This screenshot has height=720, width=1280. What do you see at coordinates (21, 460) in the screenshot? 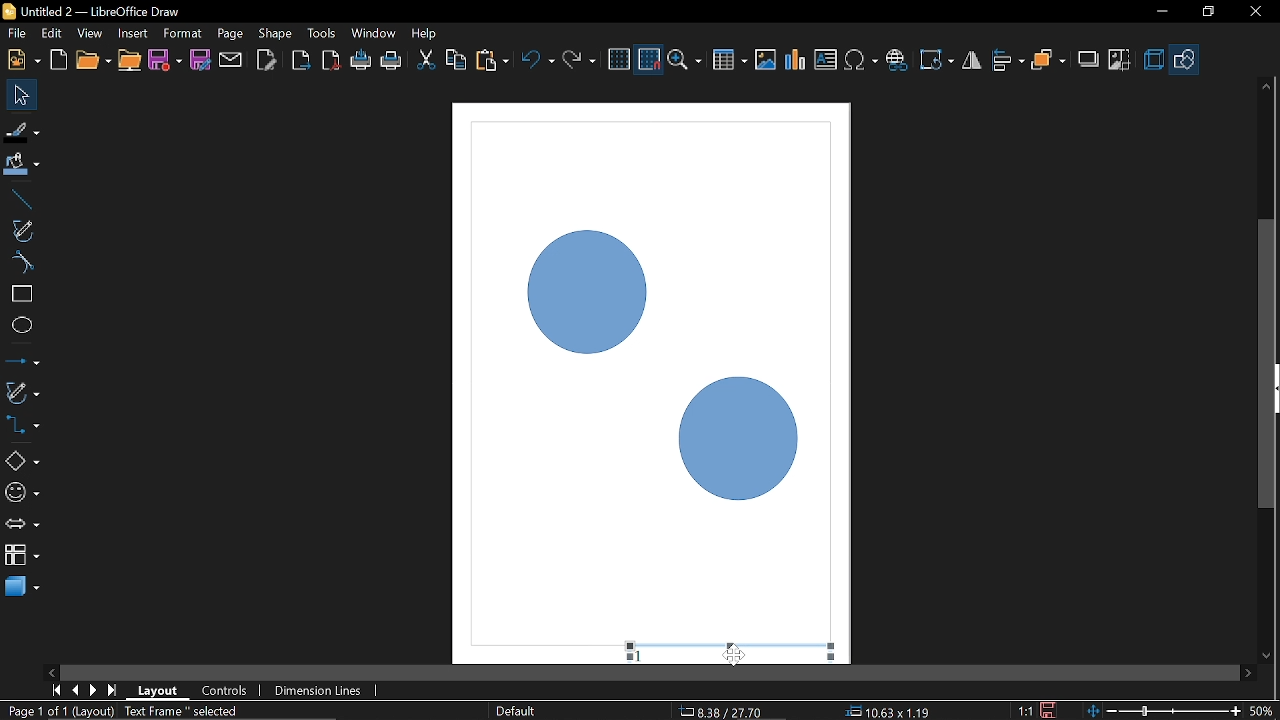
I see `Shapes` at bounding box center [21, 460].